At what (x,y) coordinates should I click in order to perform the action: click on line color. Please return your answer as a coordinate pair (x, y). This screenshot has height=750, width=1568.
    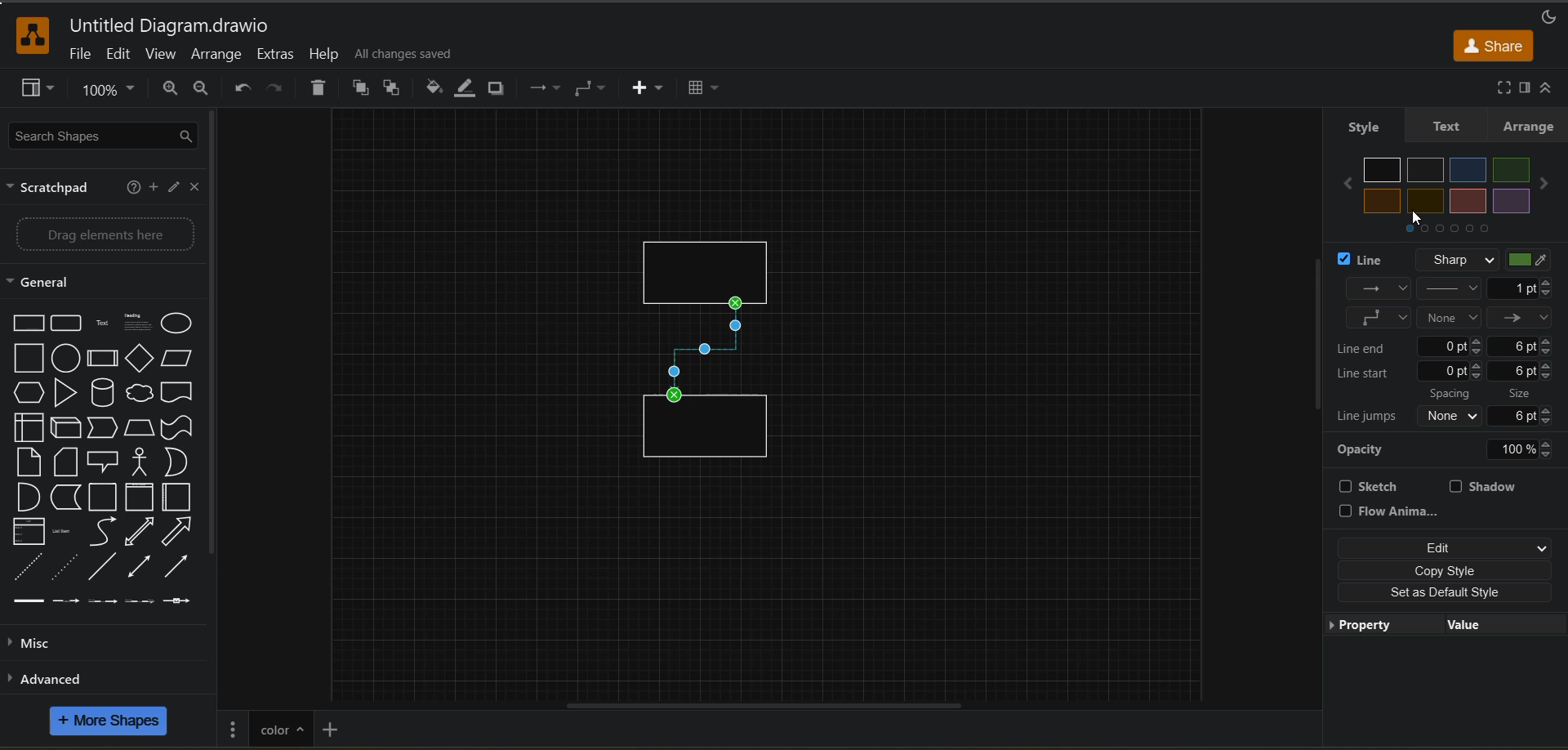
    Looking at the image, I should click on (468, 88).